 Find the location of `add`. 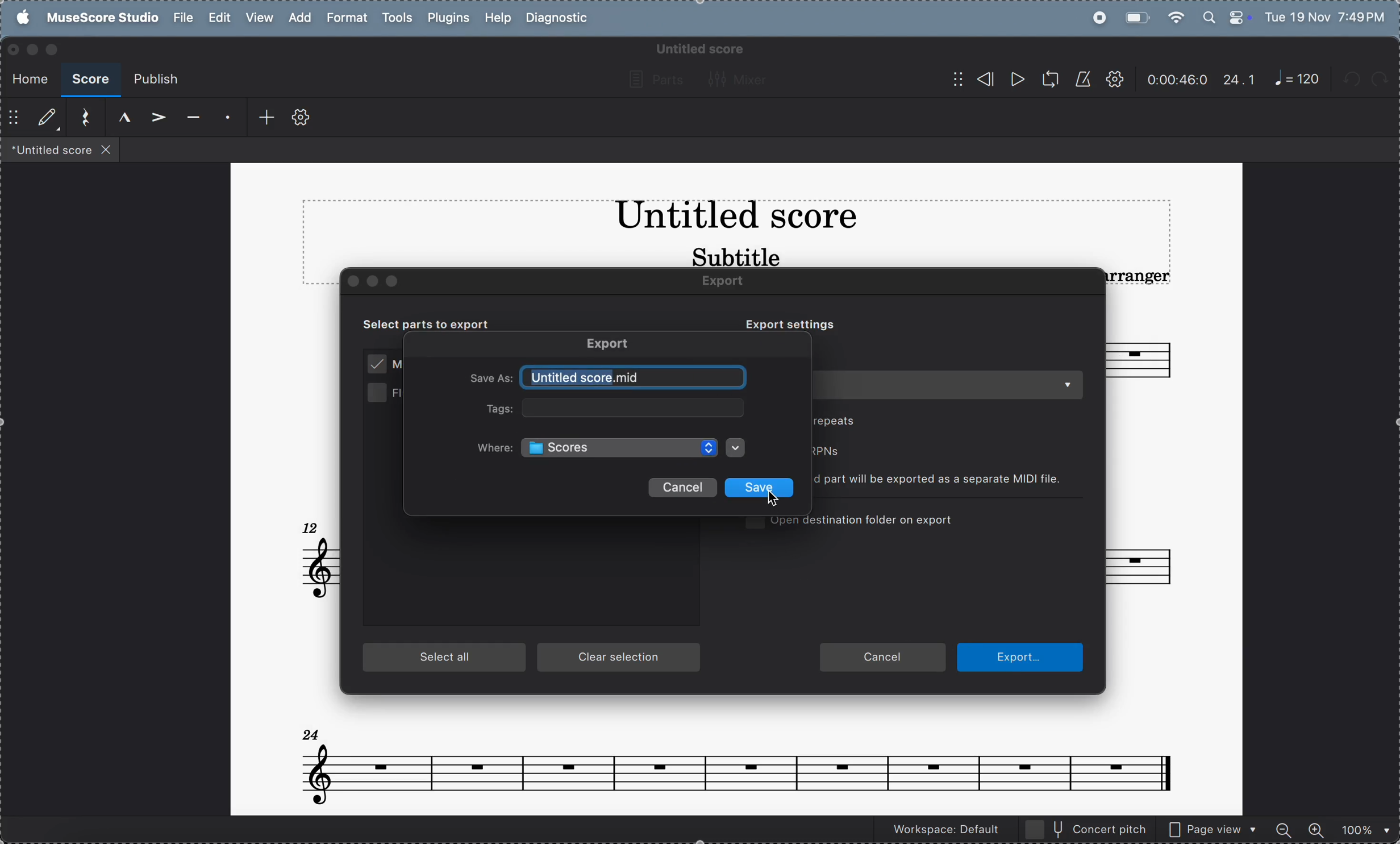

add is located at coordinates (298, 17).